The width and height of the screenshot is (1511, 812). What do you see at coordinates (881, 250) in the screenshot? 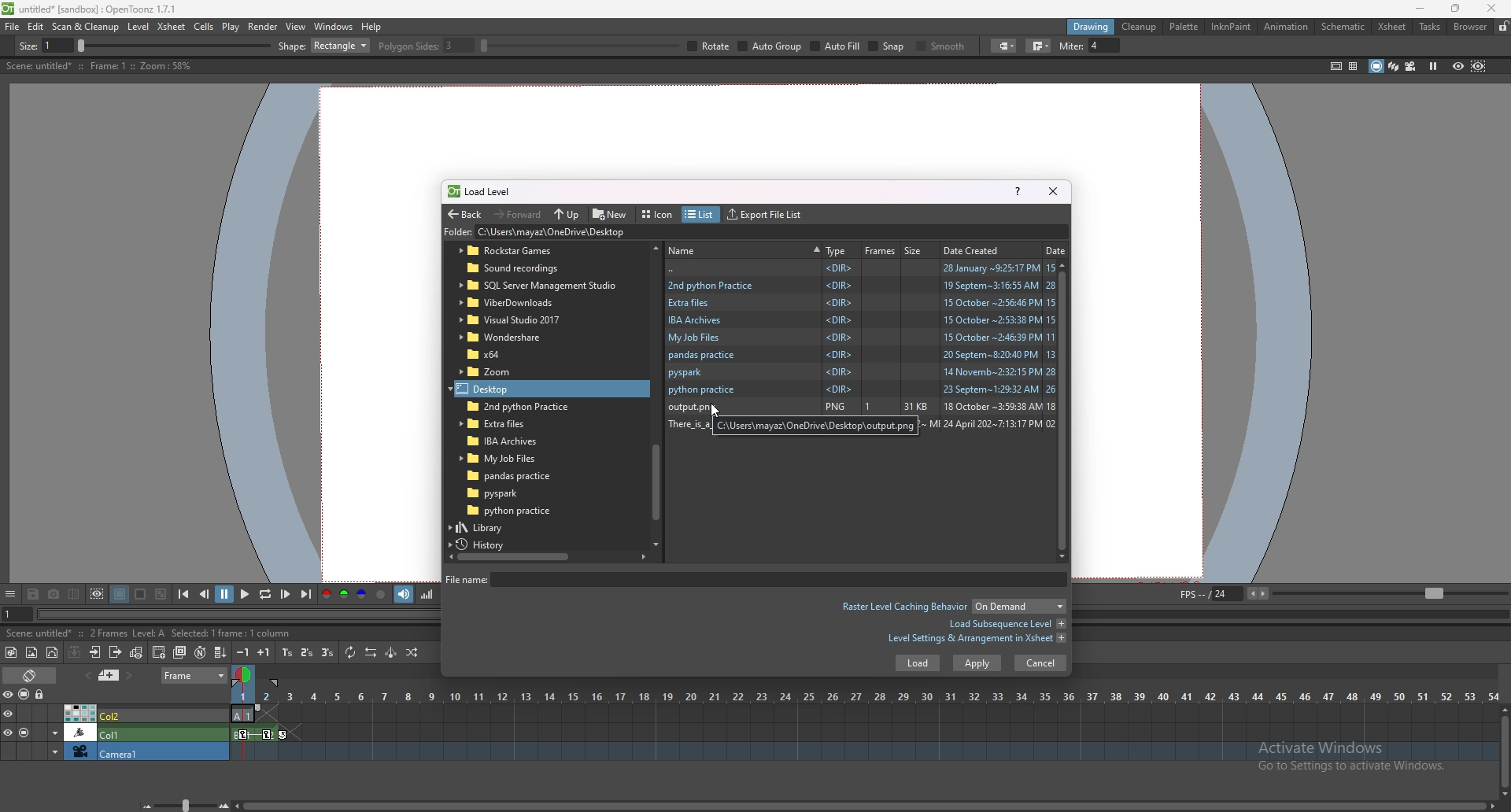
I see `frames` at bounding box center [881, 250].